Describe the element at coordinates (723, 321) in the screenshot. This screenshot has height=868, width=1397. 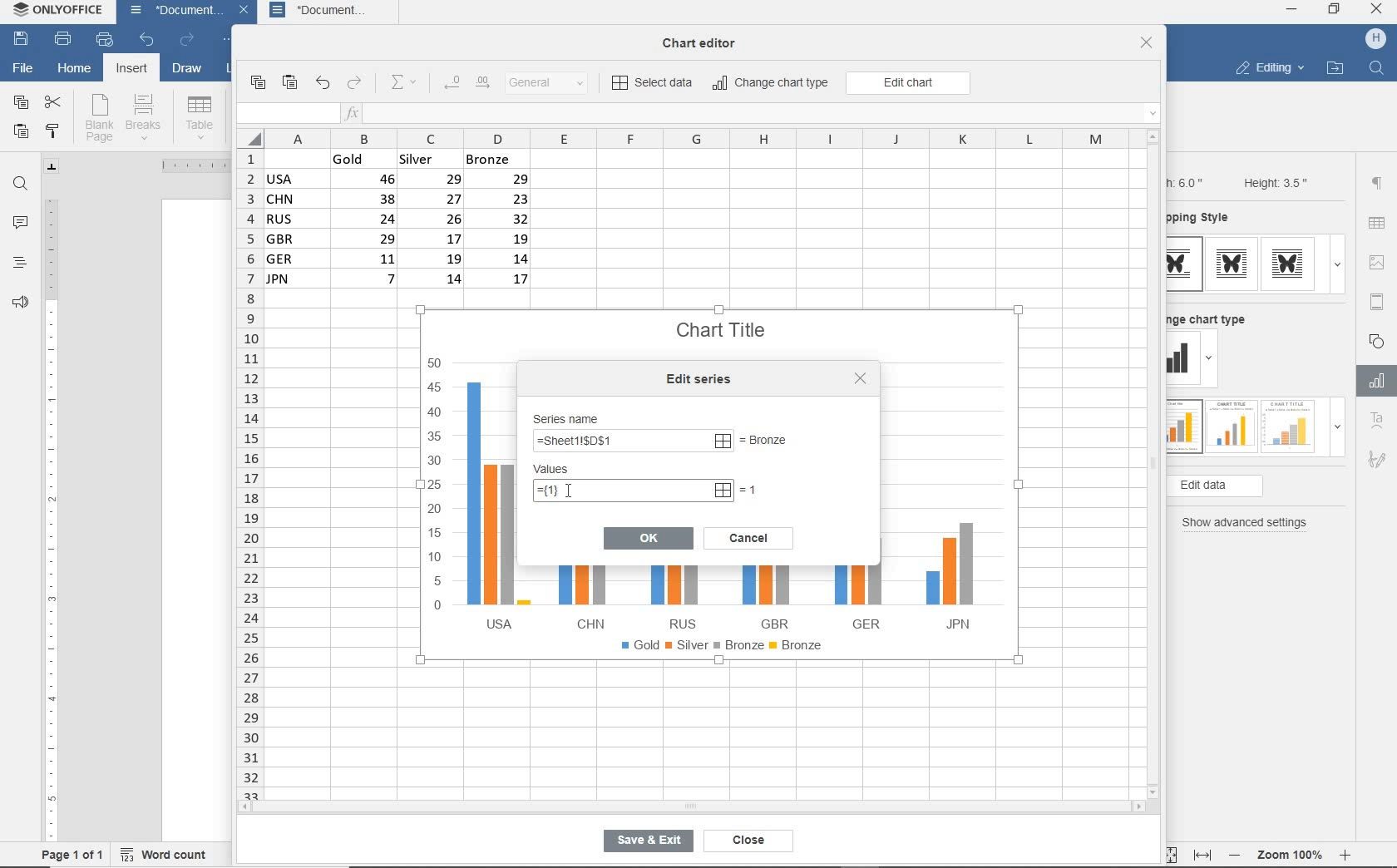
I see `Chart Title` at that location.